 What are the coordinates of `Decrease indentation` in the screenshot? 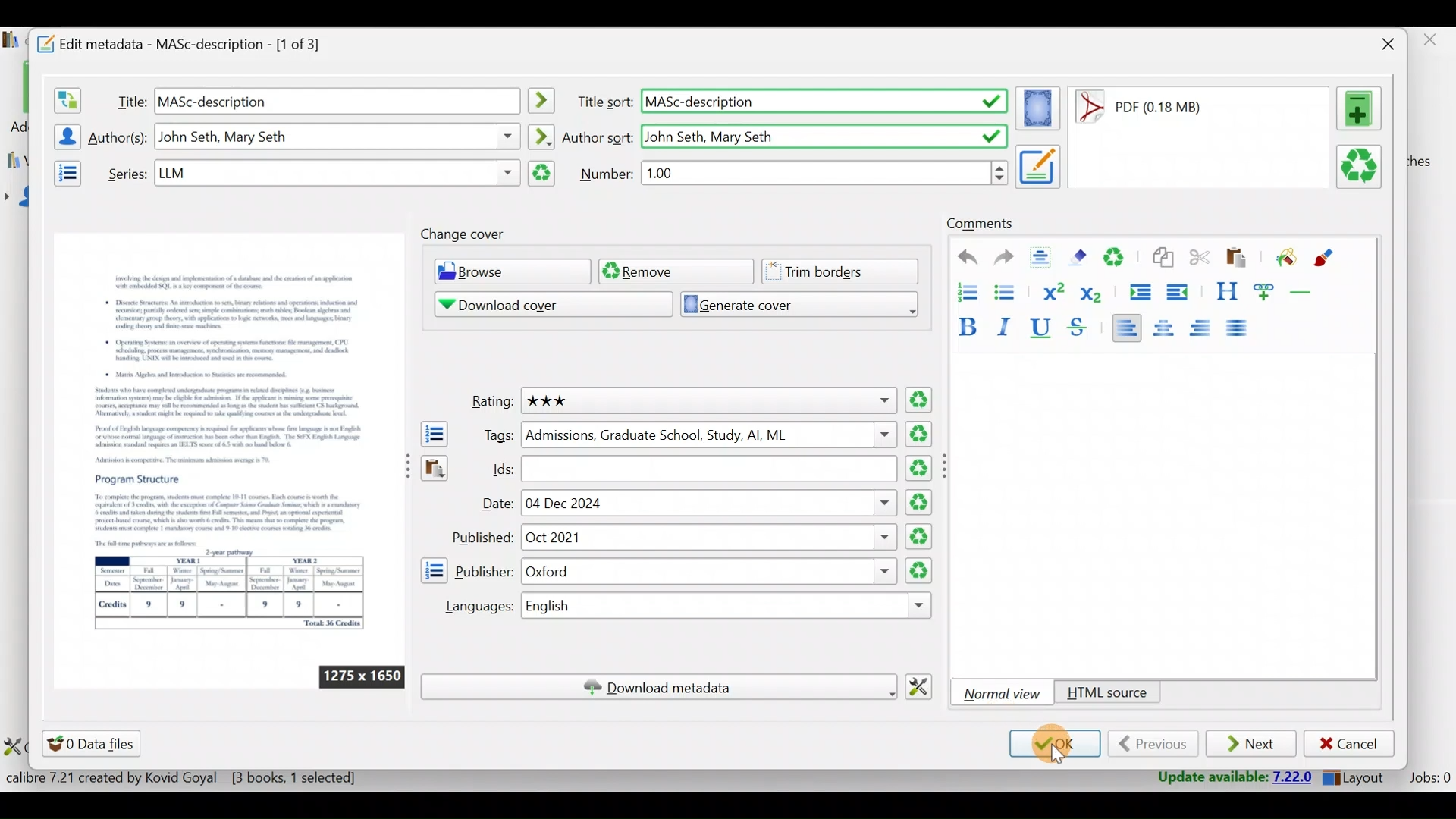 It's located at (1178, 292).